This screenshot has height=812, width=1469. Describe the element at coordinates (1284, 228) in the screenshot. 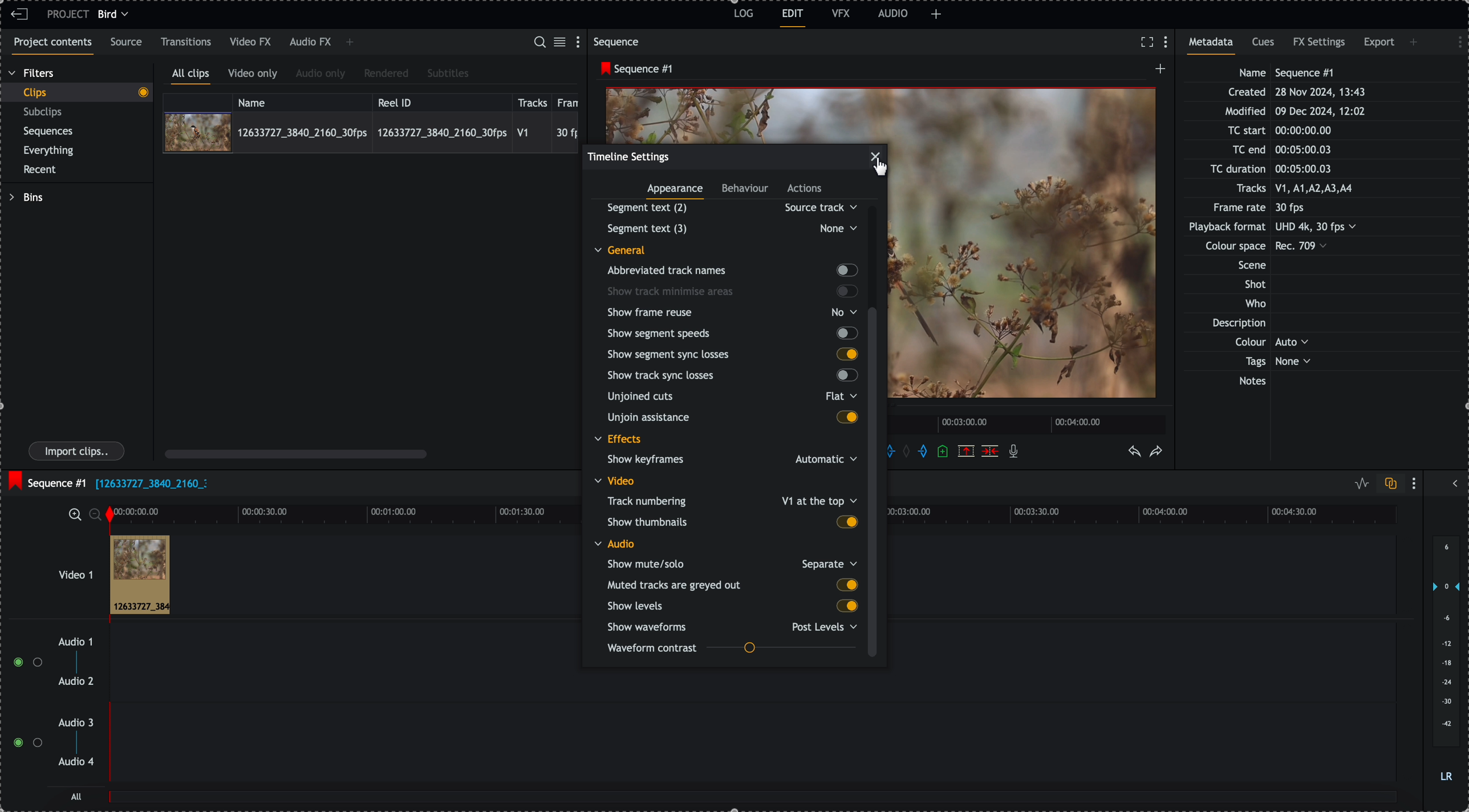

I see `metadata` at that location.